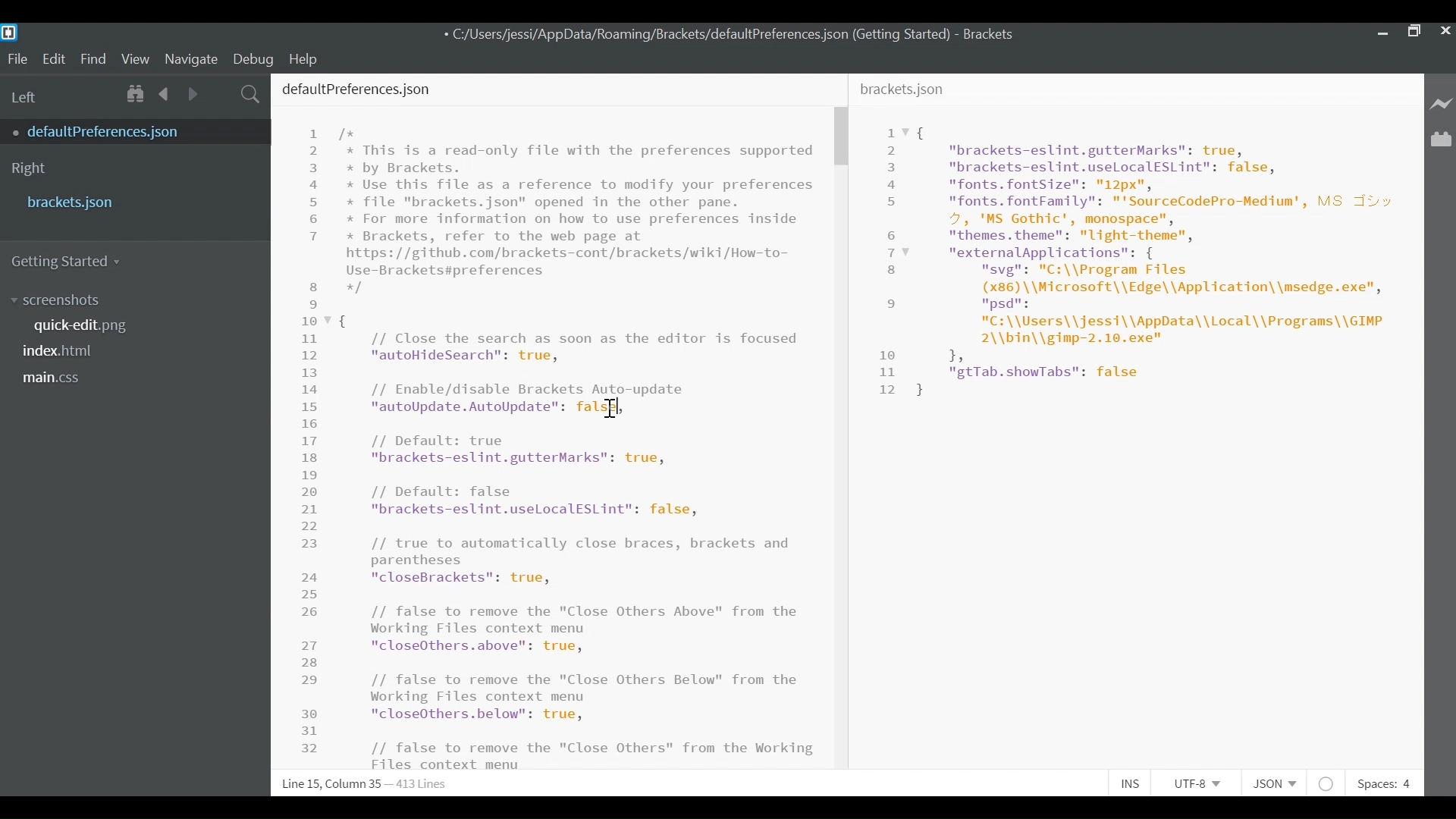 Image resolution: width=1456 pixels, height=819 pixels. I want to click on Close, so click(1446, 31).